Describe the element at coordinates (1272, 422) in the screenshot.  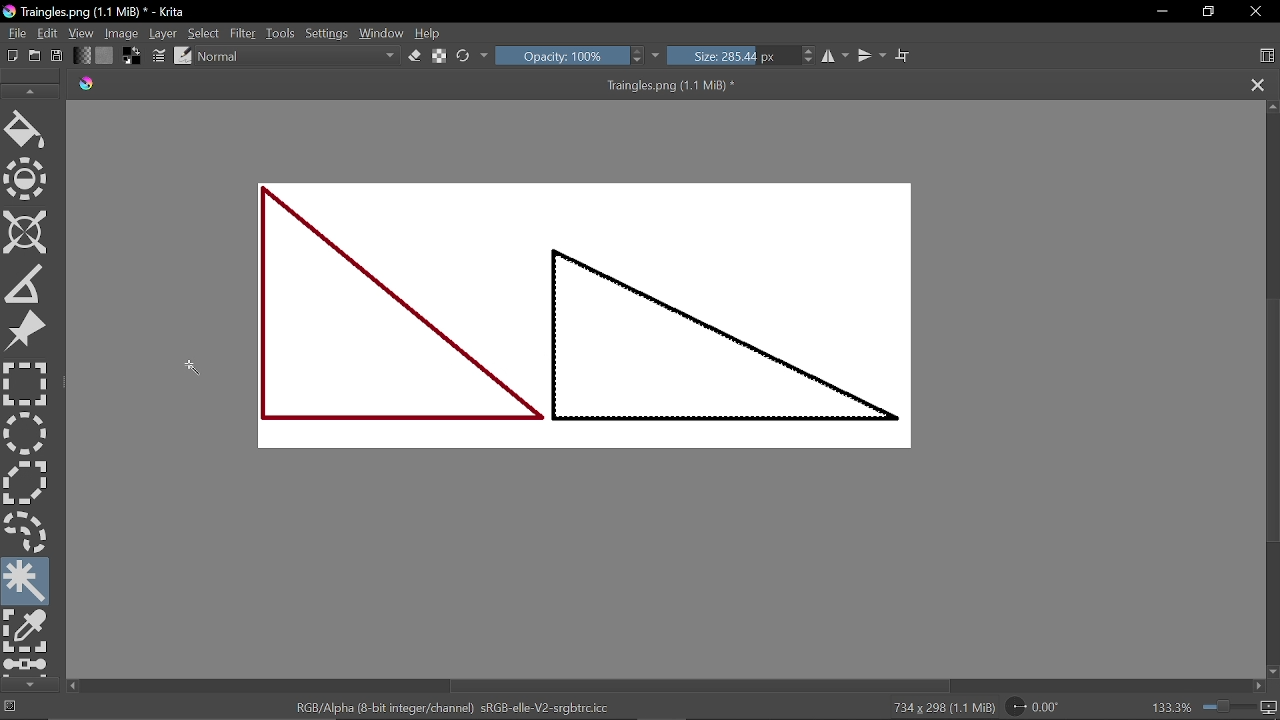
I see `Vertical scrollbar` at that location.